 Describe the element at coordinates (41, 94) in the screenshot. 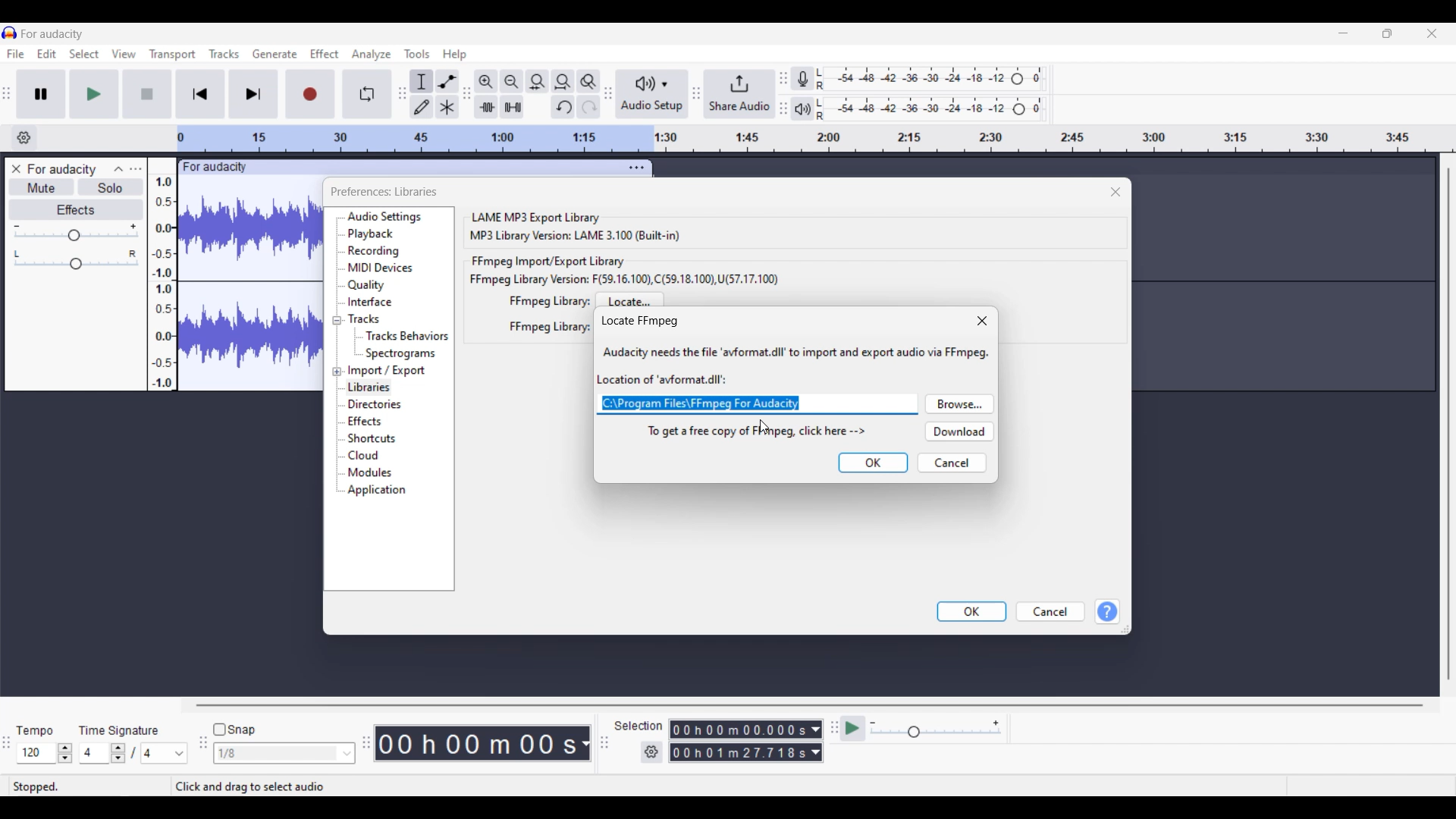

I see `Pause` at that location.